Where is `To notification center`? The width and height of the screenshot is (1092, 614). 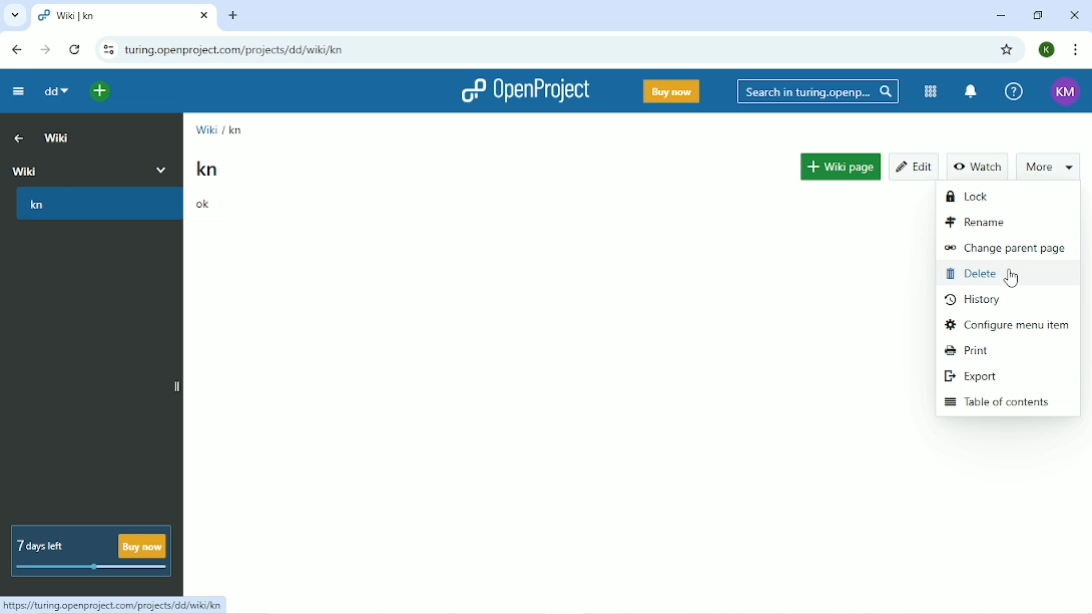 To notification center is located at coordinates (973, 92).